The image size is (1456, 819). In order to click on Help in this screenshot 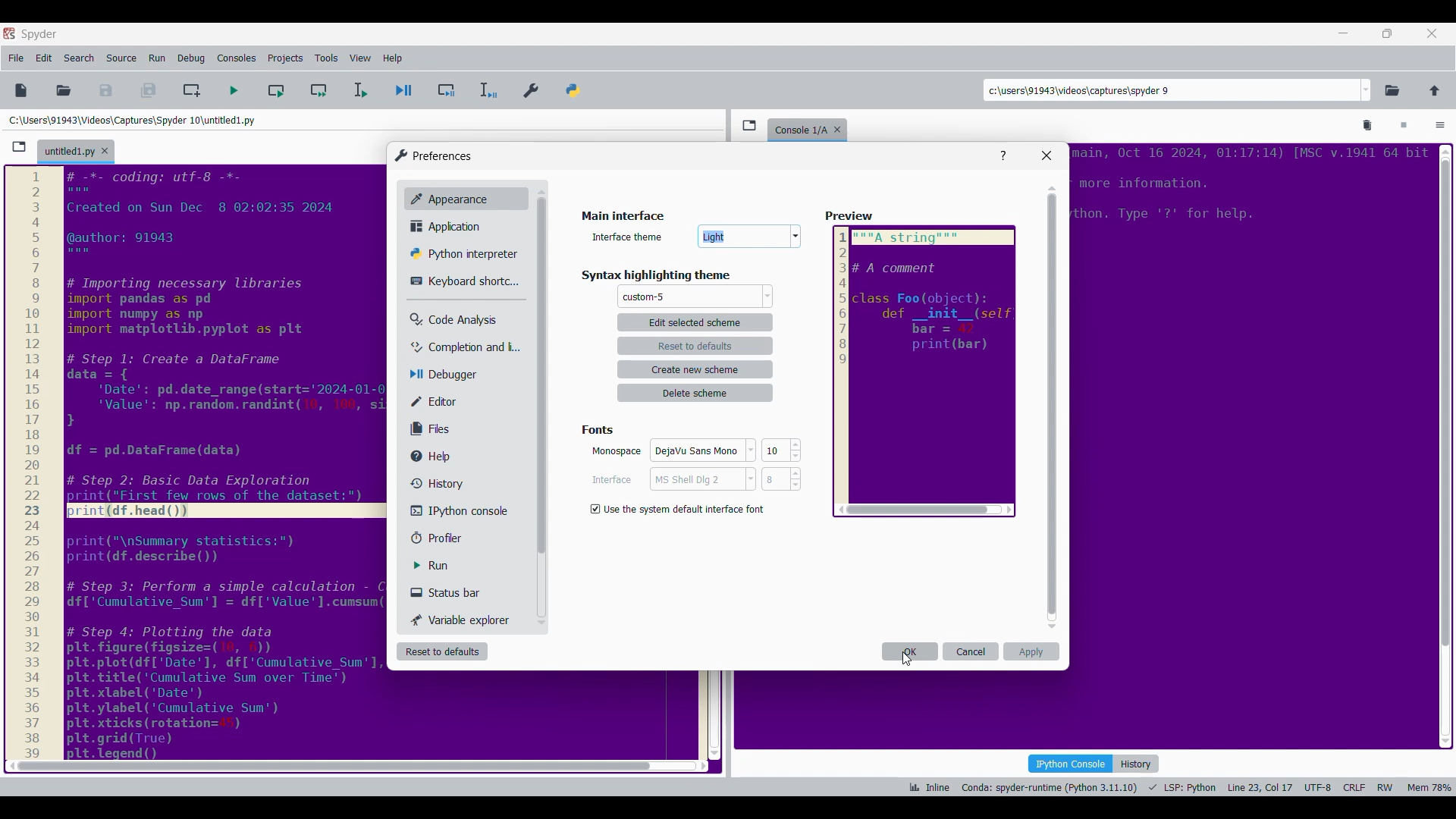, I will do `click(1003, 156)`.